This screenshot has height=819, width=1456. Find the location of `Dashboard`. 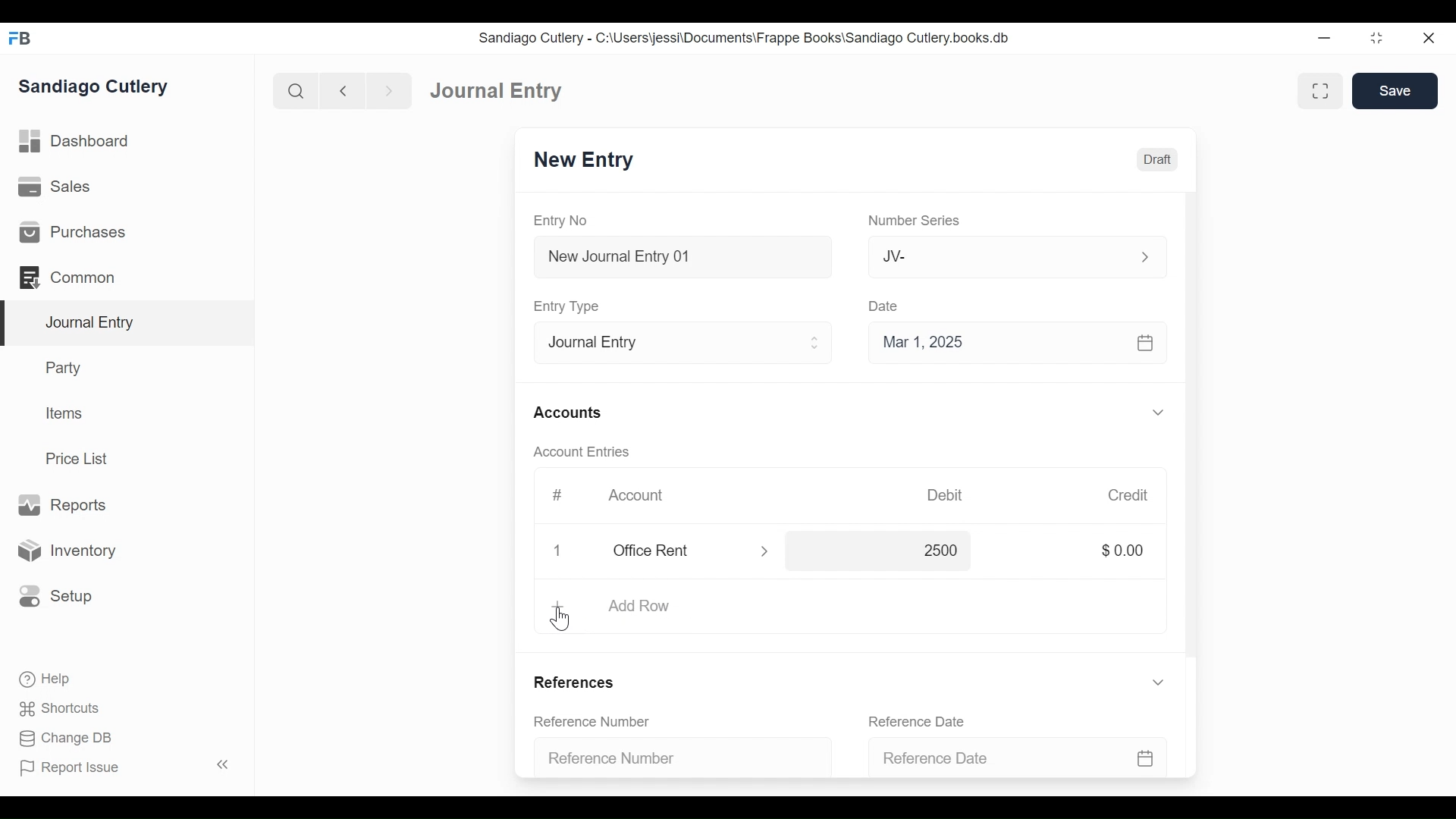

Dashboard is located at coordinates (491, 89).